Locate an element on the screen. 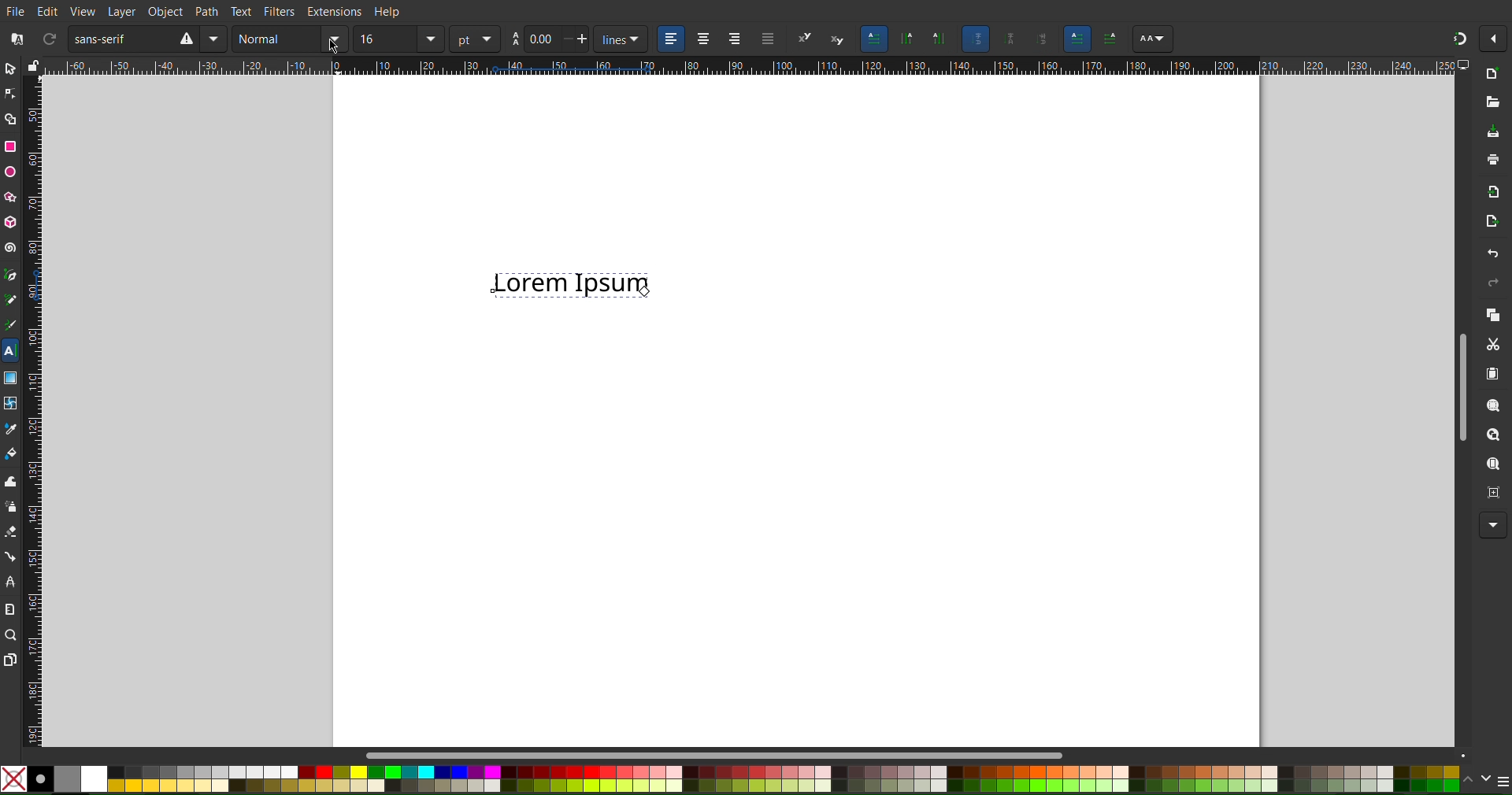 Image resolution: width=1512 pixels, height=795 pixels. Super script is located at coordinates (804, 39).